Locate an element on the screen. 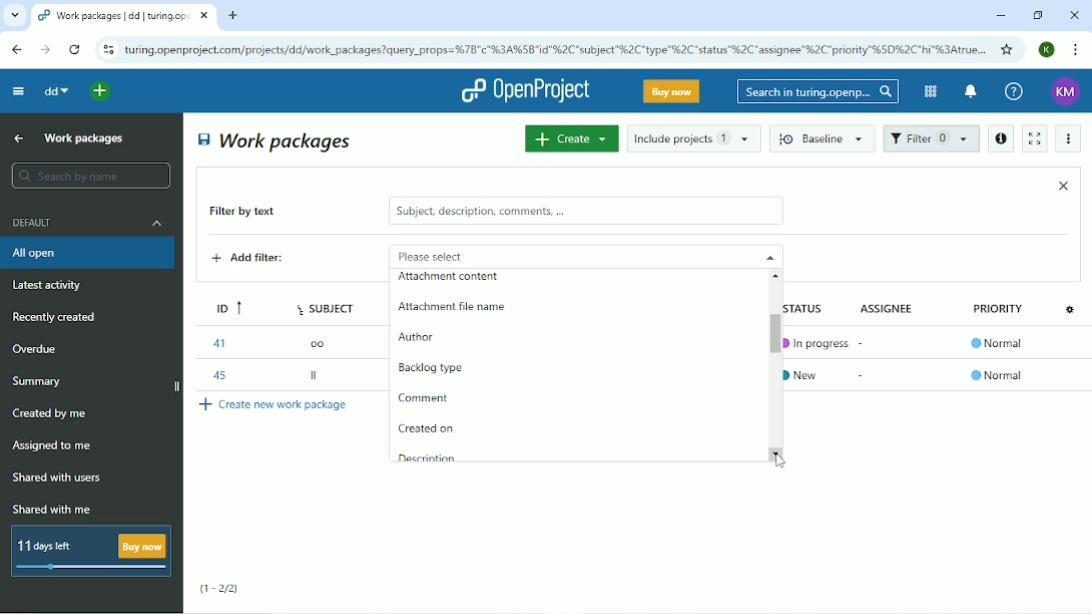  41 is located at coordinates (218, 343).